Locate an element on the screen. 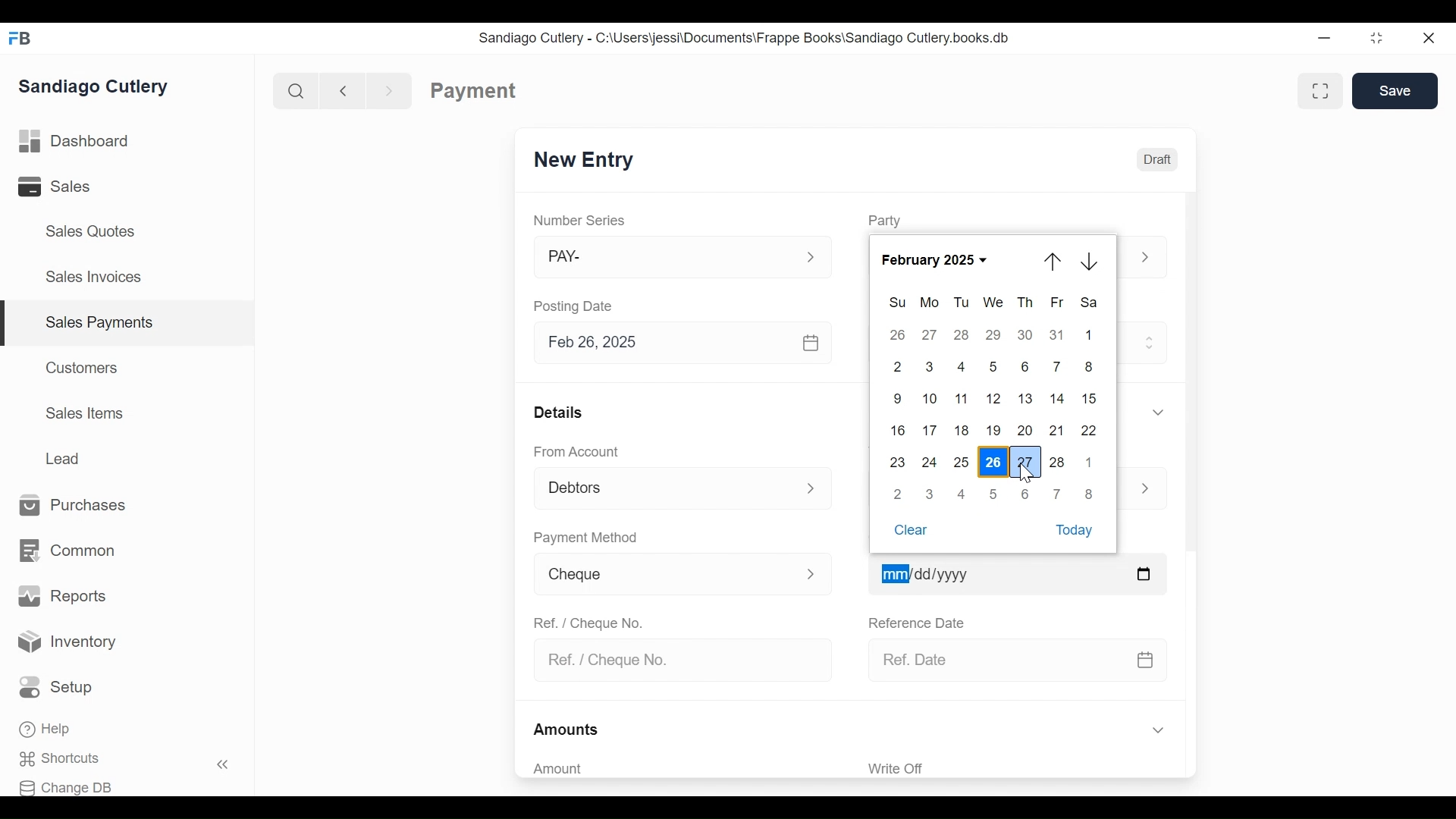  Today is located at coordinates (1078, 530).